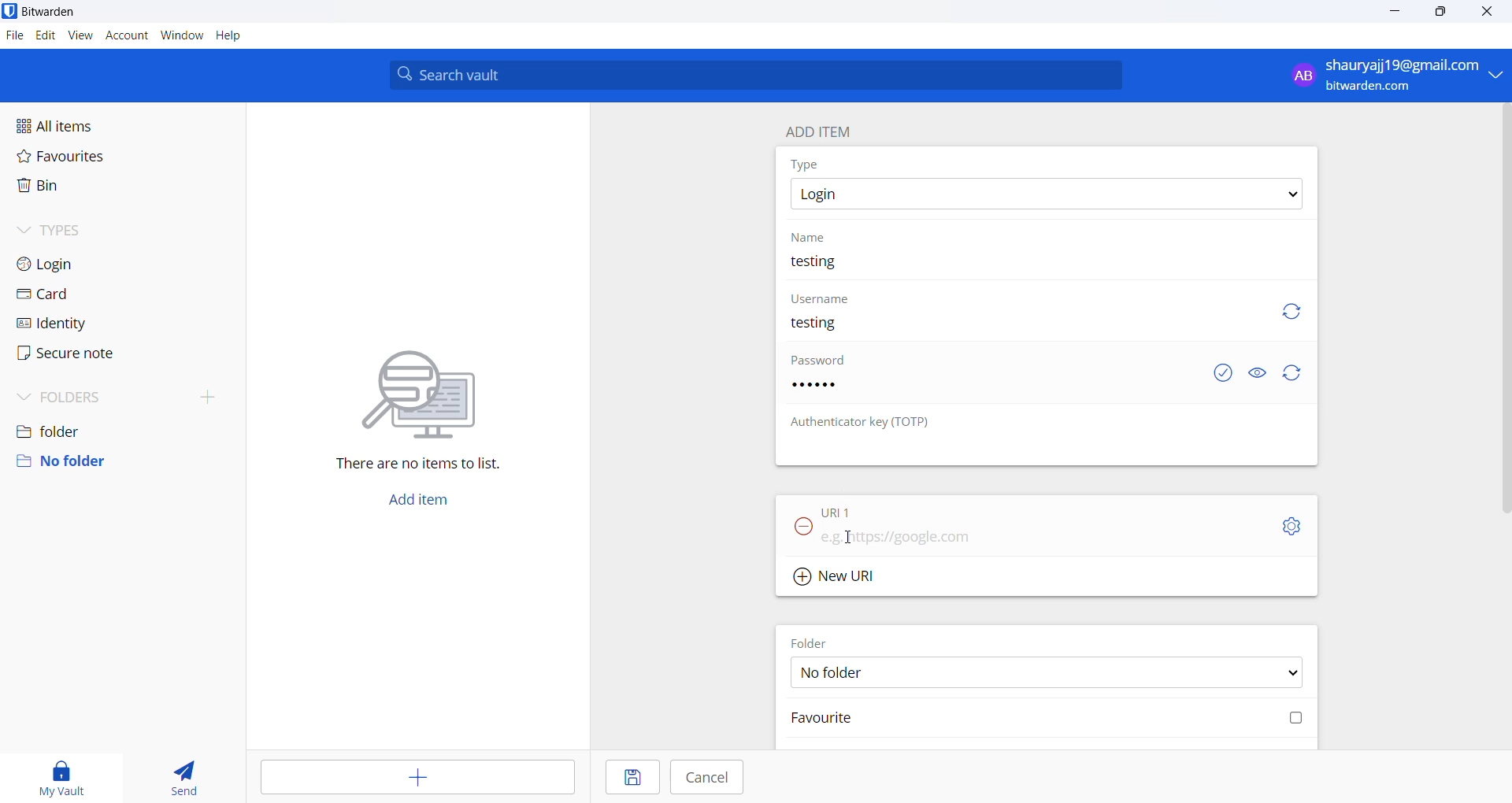  What do you see at coordinates (82, 191) in the screenshot?
I see `bin` at bounding box center [82, 191].